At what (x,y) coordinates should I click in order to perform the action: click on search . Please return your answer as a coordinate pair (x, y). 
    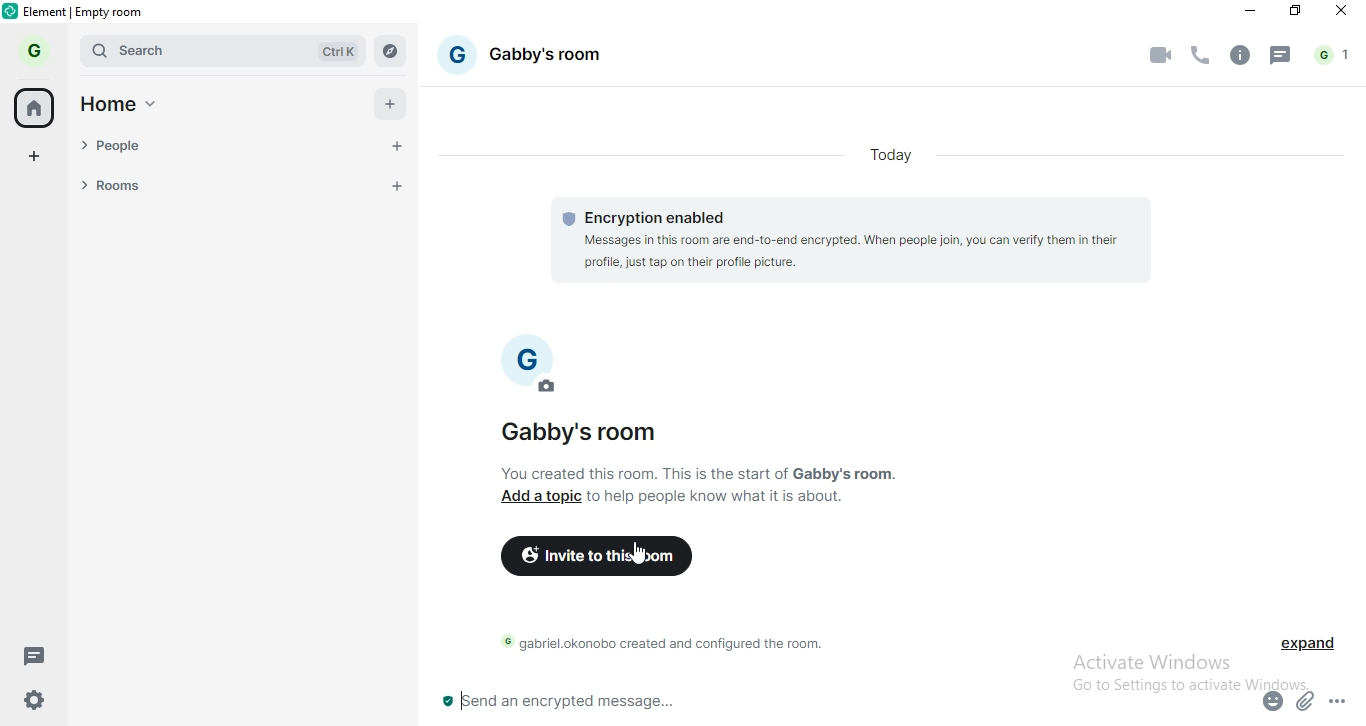
    Looking at the image, I should click on (222, 51).